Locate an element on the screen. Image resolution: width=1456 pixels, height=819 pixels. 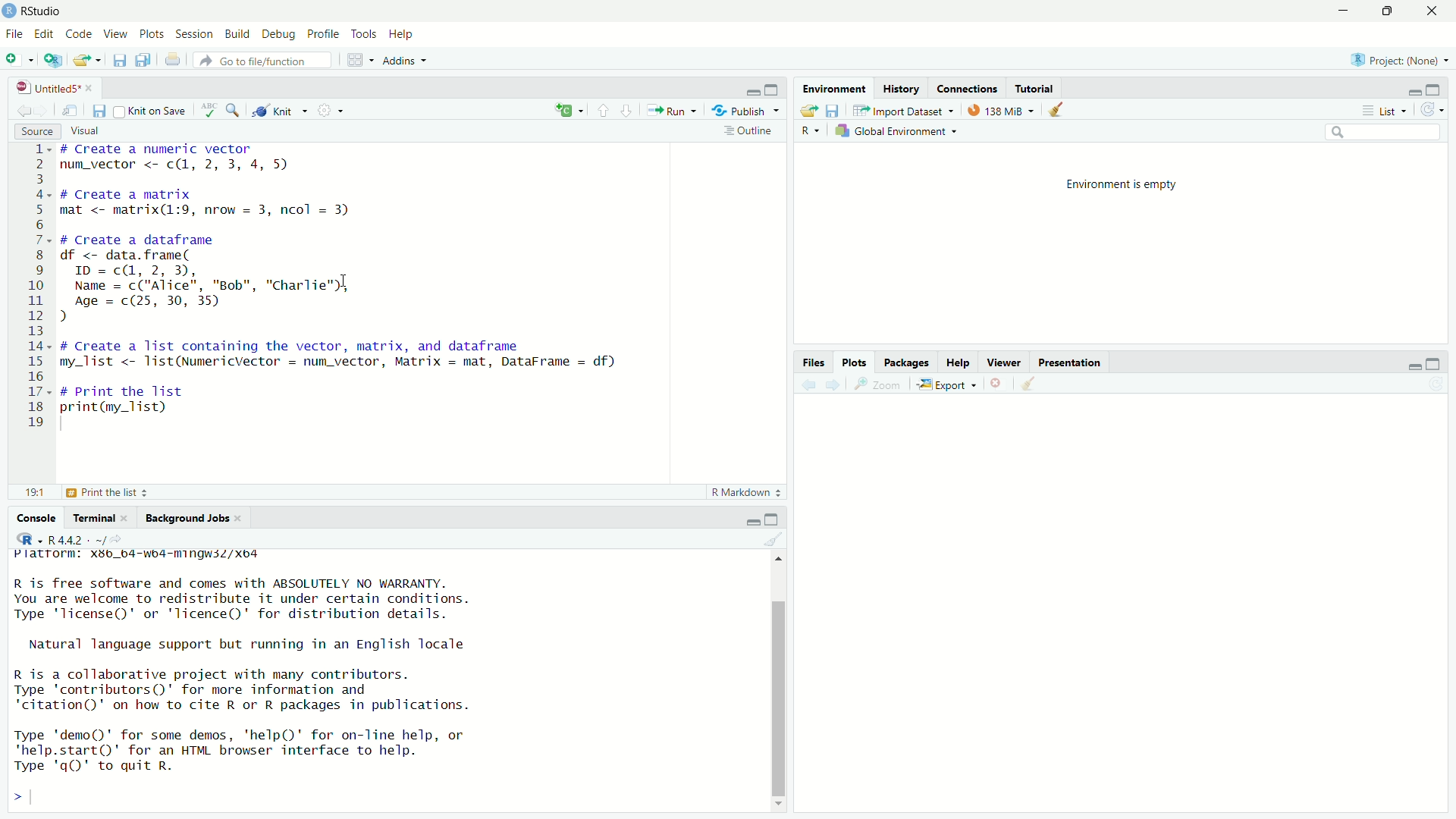
zoom is located at coordinates (877, 385).